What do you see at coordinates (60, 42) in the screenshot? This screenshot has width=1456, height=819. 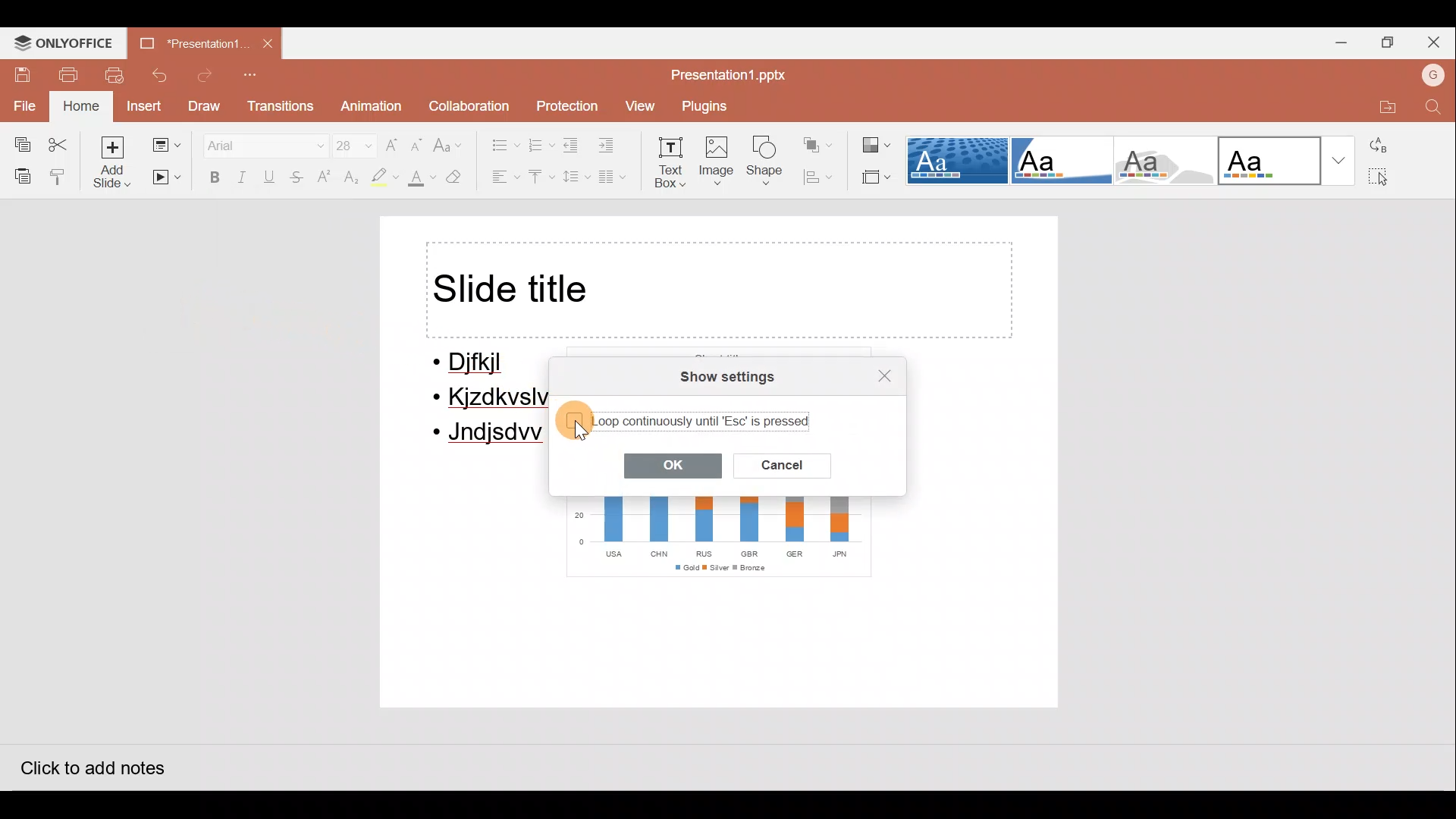 I see `ONLYOFFICE` at bounding box center [60, 42].